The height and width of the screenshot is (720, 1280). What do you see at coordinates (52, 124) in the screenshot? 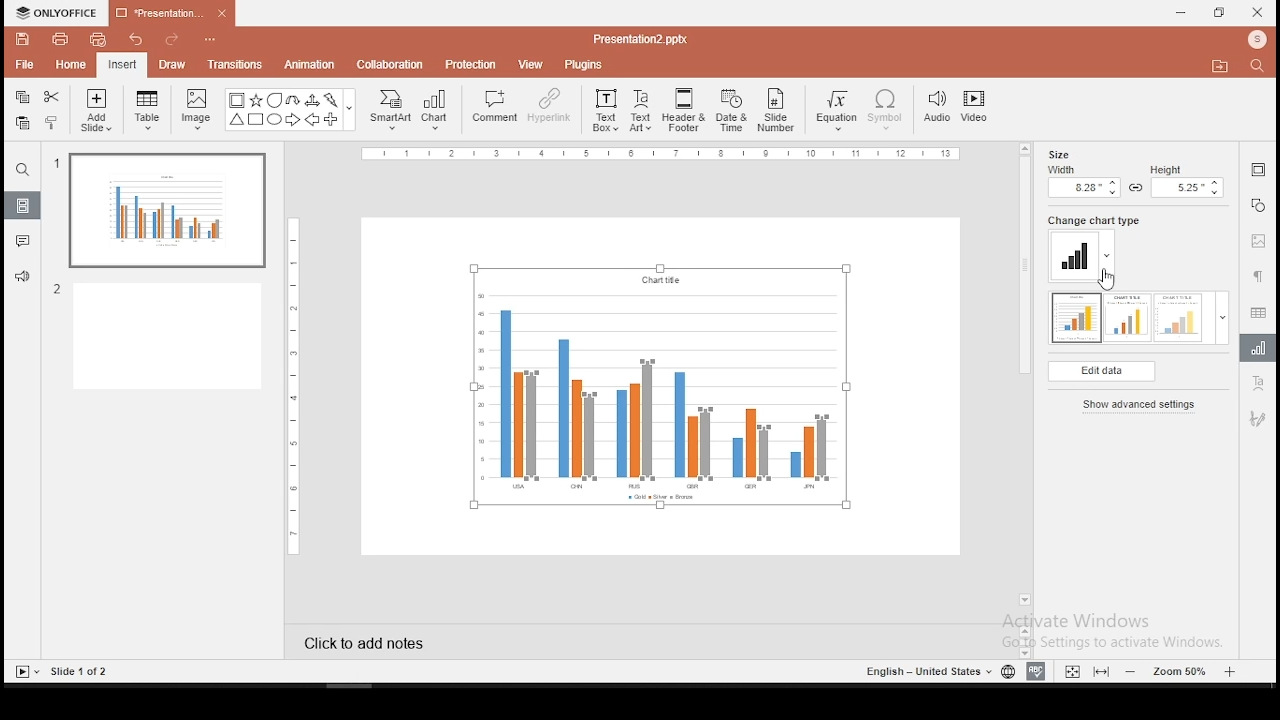
I see `clone formatting` at bounding box center [52, 124].